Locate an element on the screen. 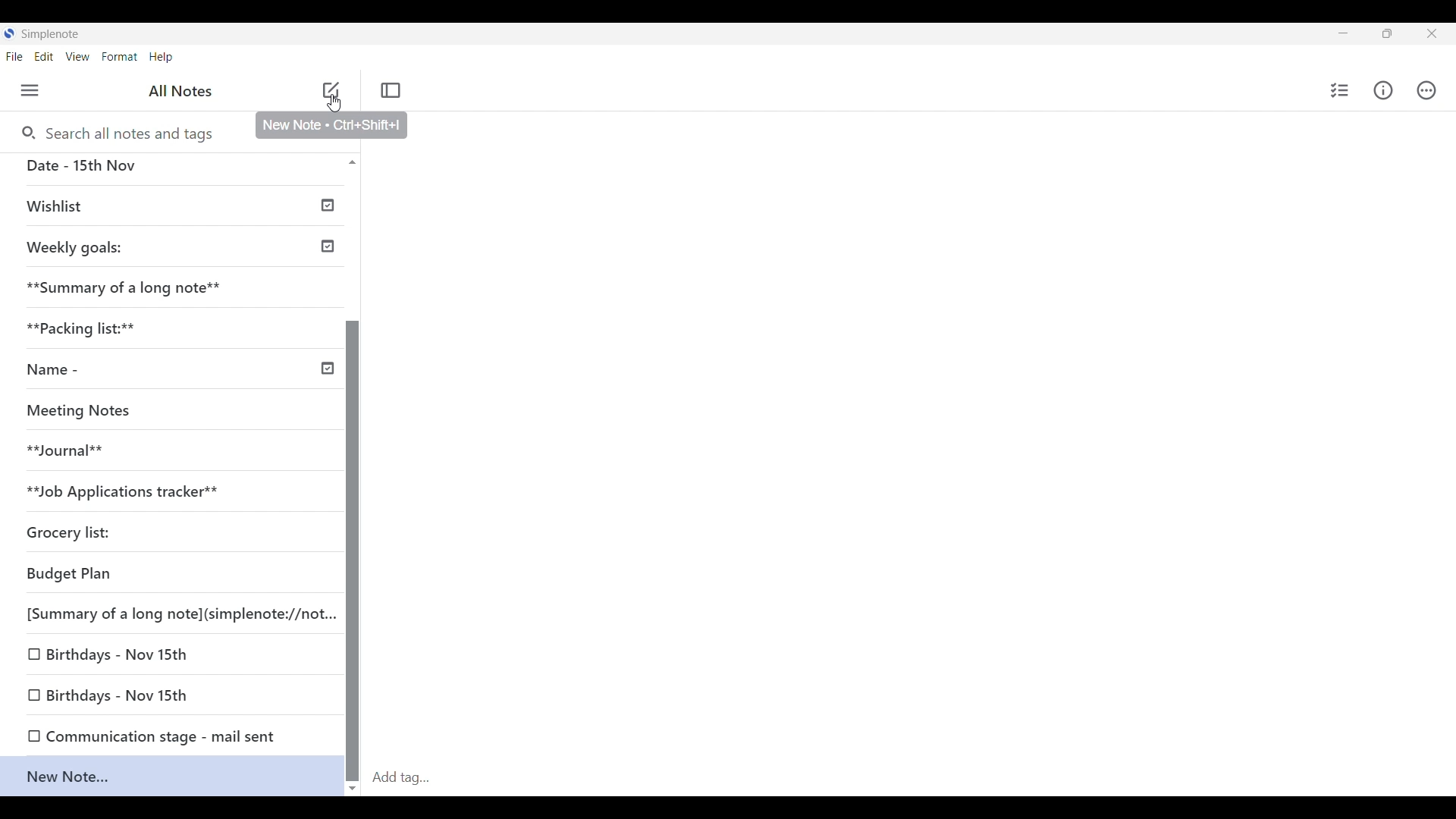 This screenshot has height=819, width=1456. **Summary of a long note** is located at coordinates (135, 288).